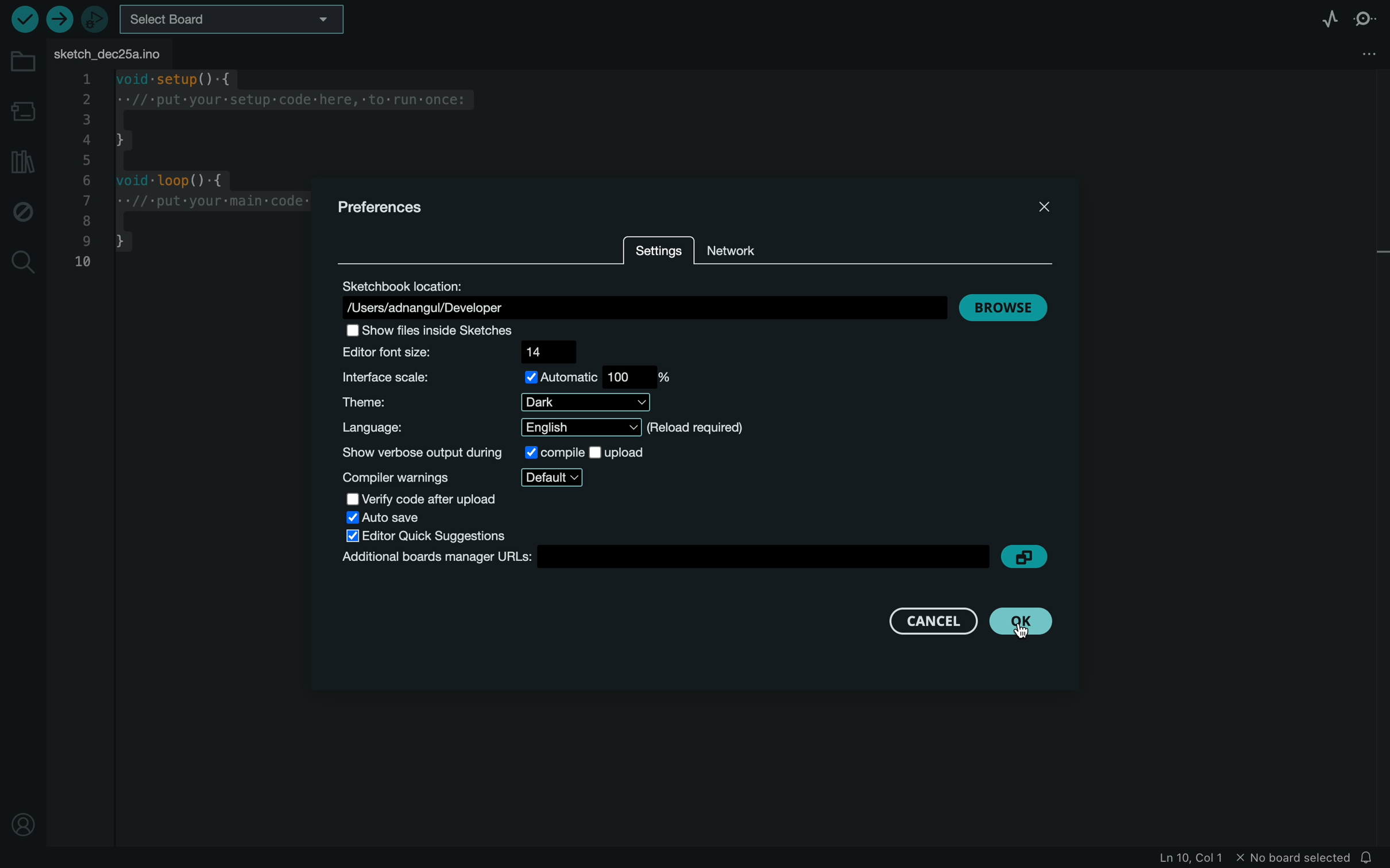 Image resolution: width=1390 pixels, height=868 pixels. Describe the element at coordinates (546, 427) in the screenshot. I see `language` at that location.